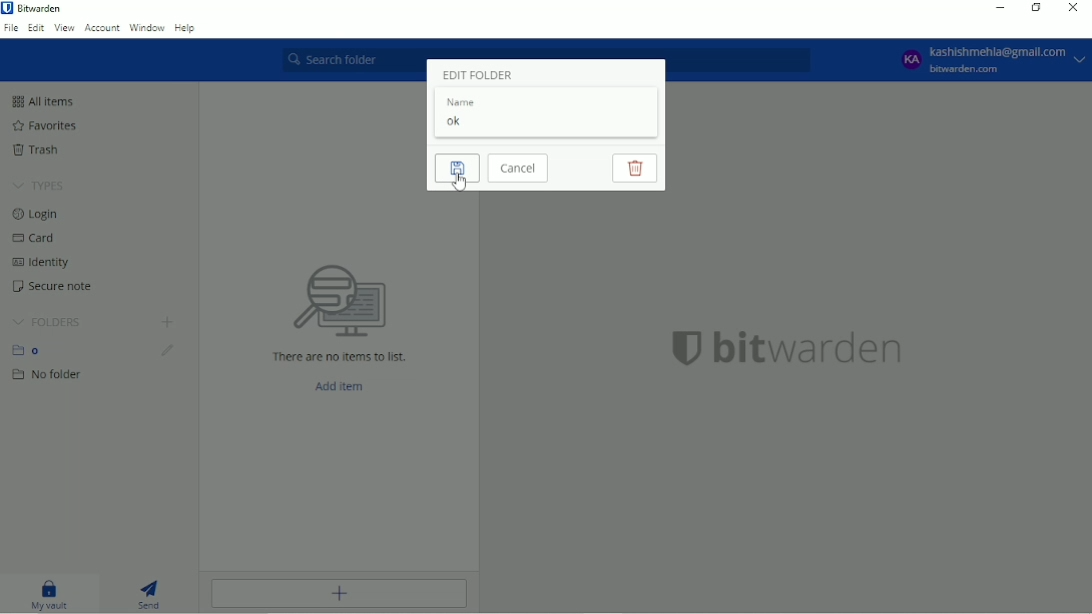 The height and width of the screenshot is (614, 1092). I want to click on Window, so click(147, 28).